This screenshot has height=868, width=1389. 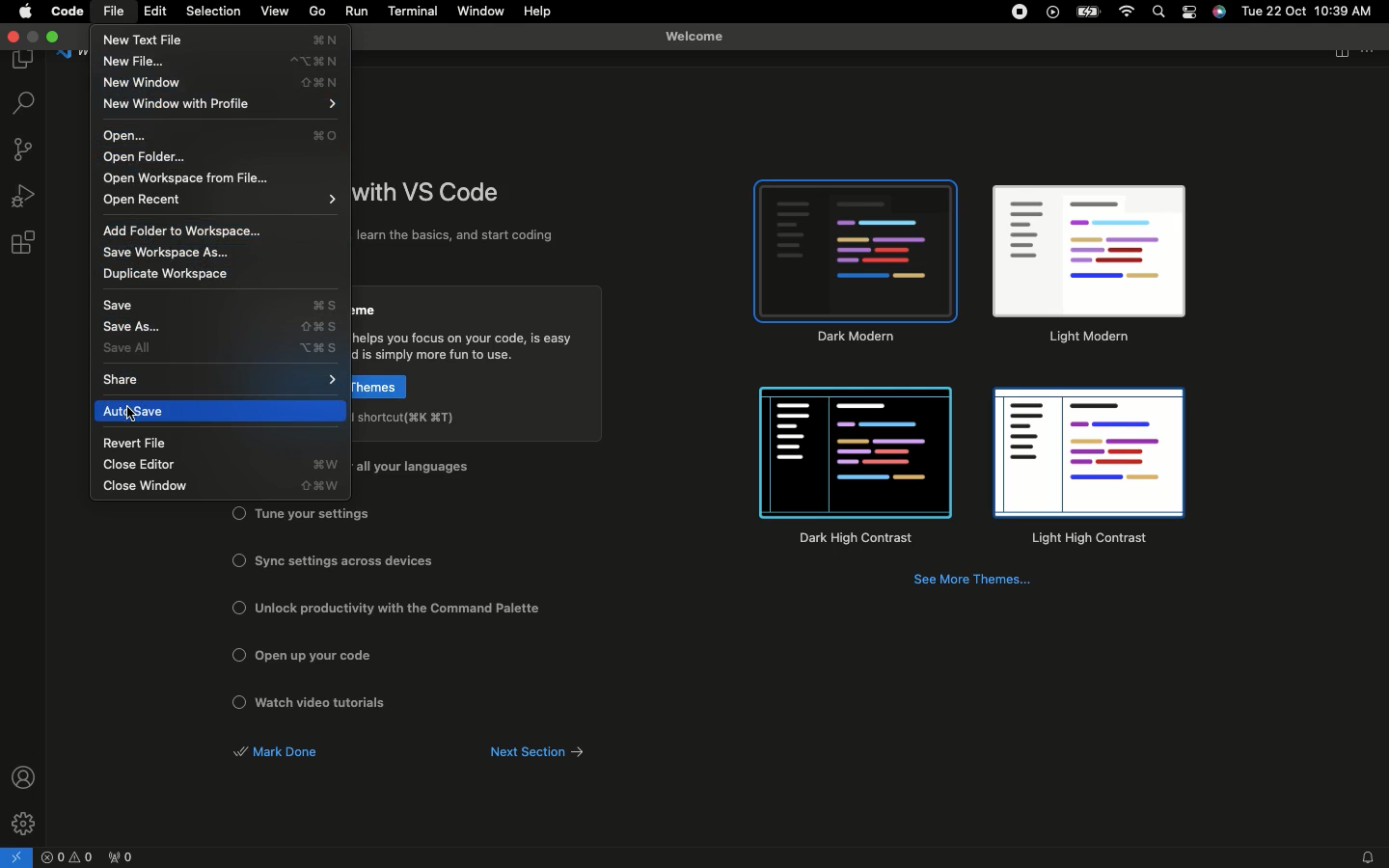 I want to click on Terminal, so click(x=415, y=11).